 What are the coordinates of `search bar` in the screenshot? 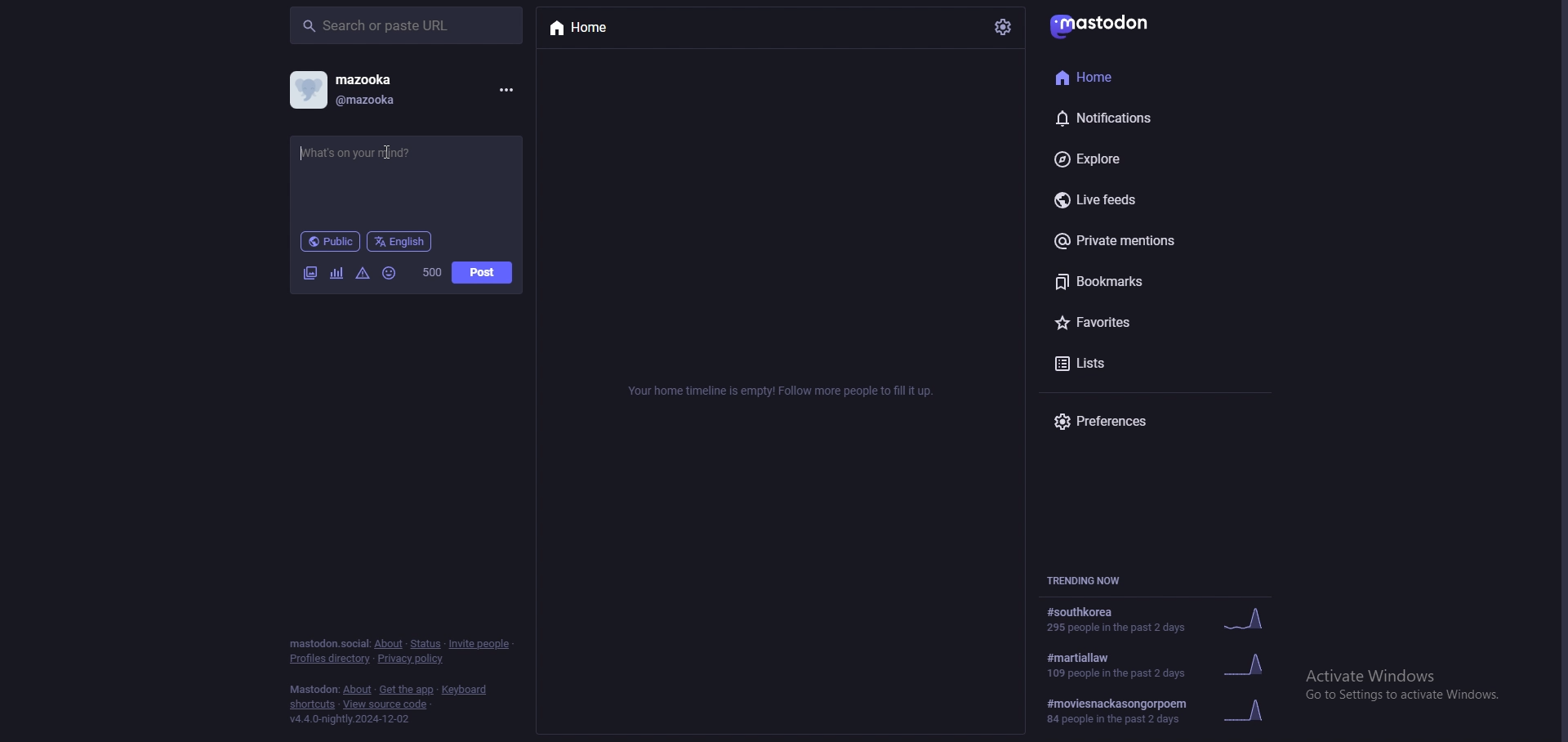 It's located at (406, 26).